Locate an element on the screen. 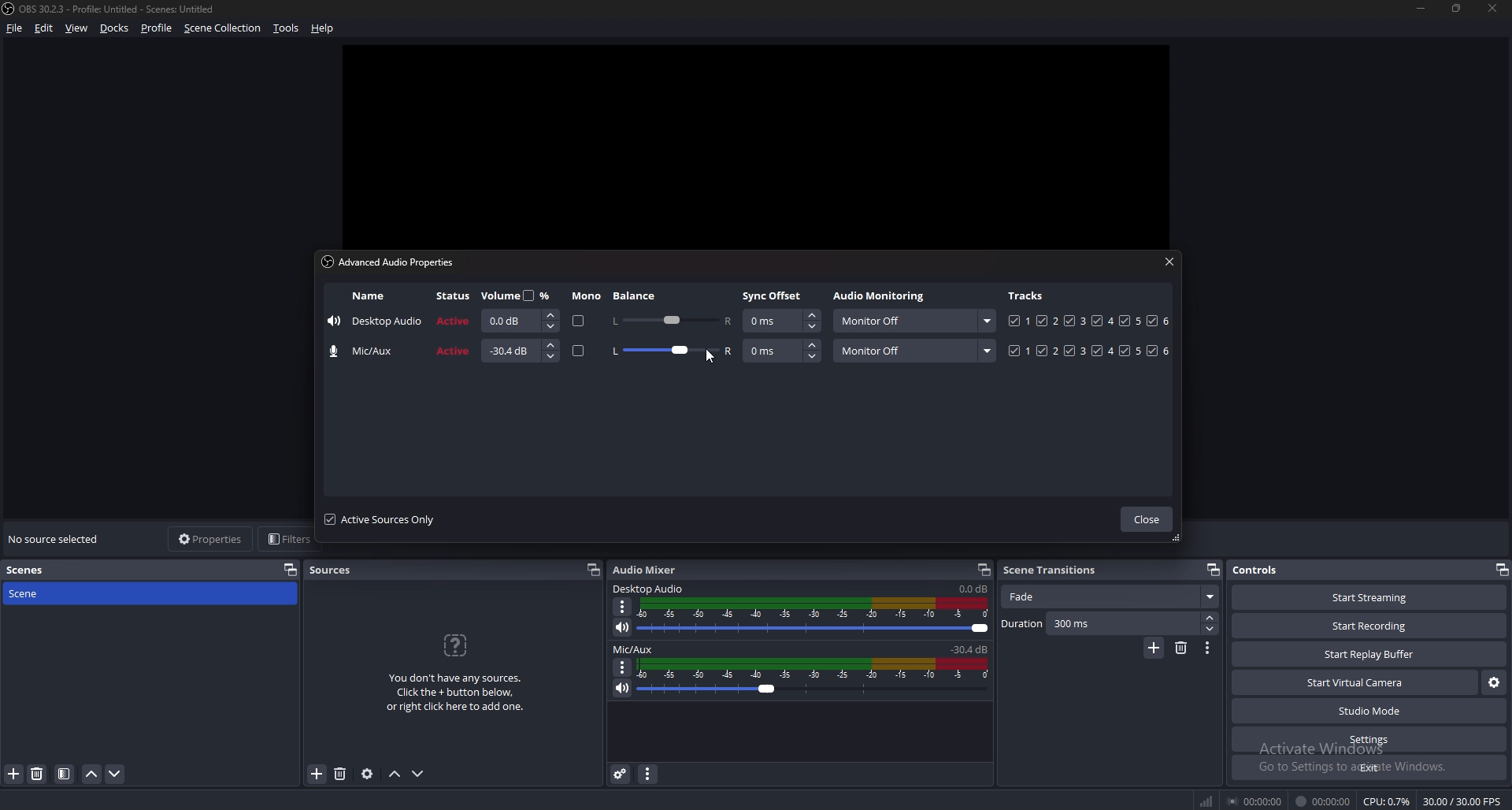 The height and width of the screenshot is (810, 1512). settings is located at coordinates (1367, 739).